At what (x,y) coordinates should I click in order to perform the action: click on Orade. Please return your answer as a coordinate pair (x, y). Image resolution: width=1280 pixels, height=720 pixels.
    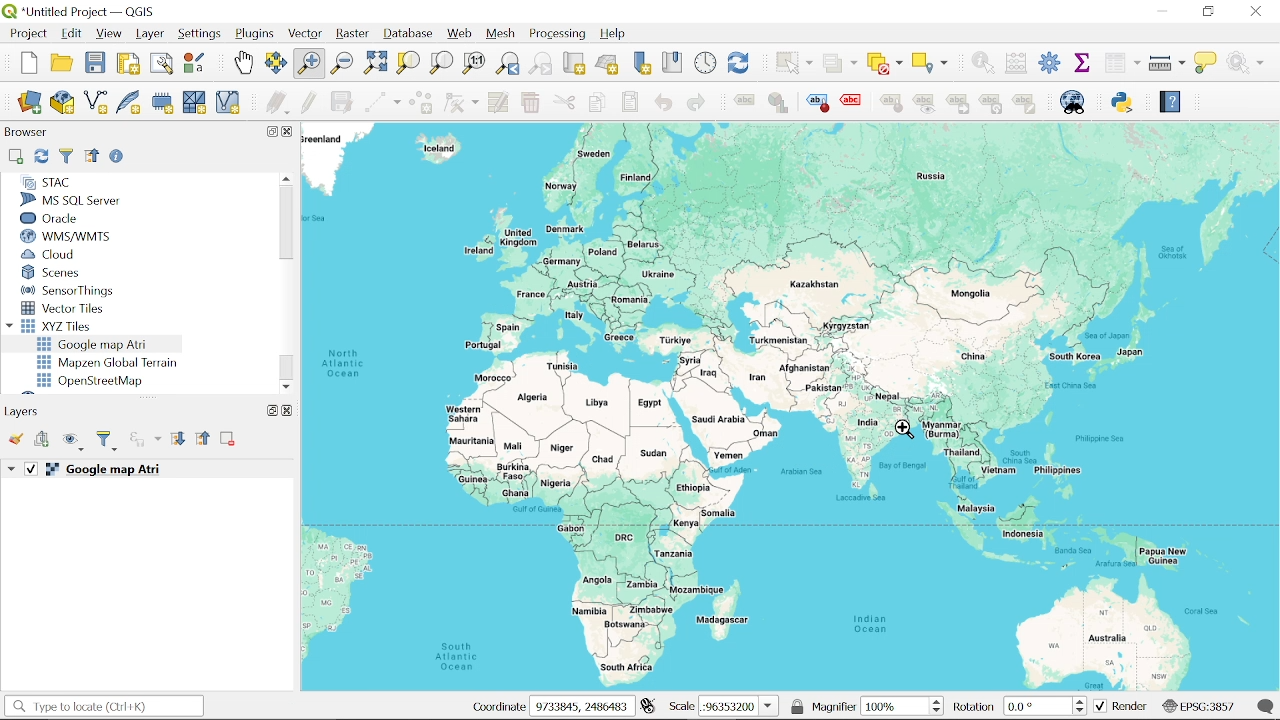
    Looking at the image, I should click on (67, 218).